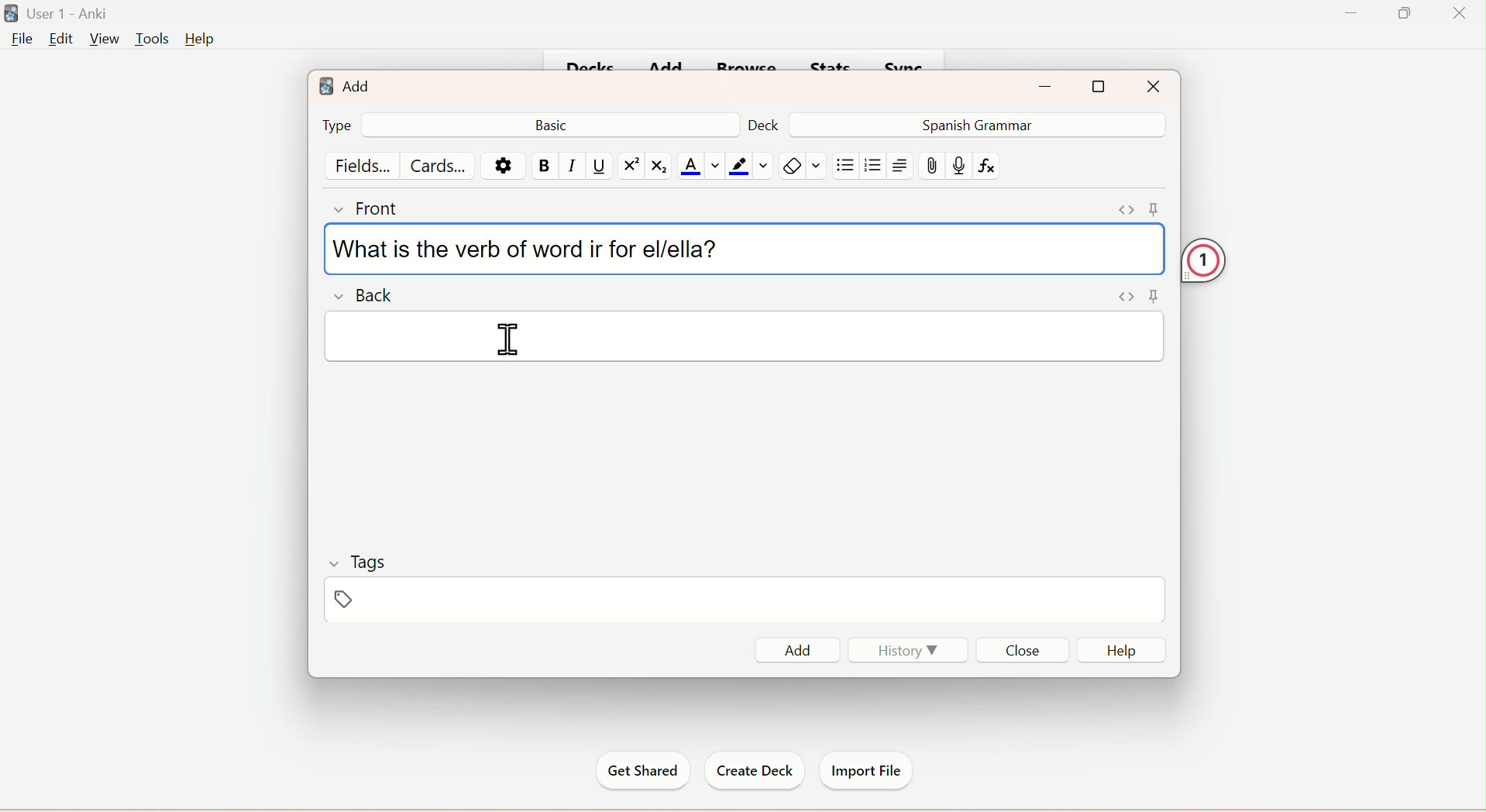 The width and height of the screenshot is (1486, 812). What do you see at coordinates (1228, 256) in the screenshot?
I see `Grammarly` at bounding box center [1228, 256].